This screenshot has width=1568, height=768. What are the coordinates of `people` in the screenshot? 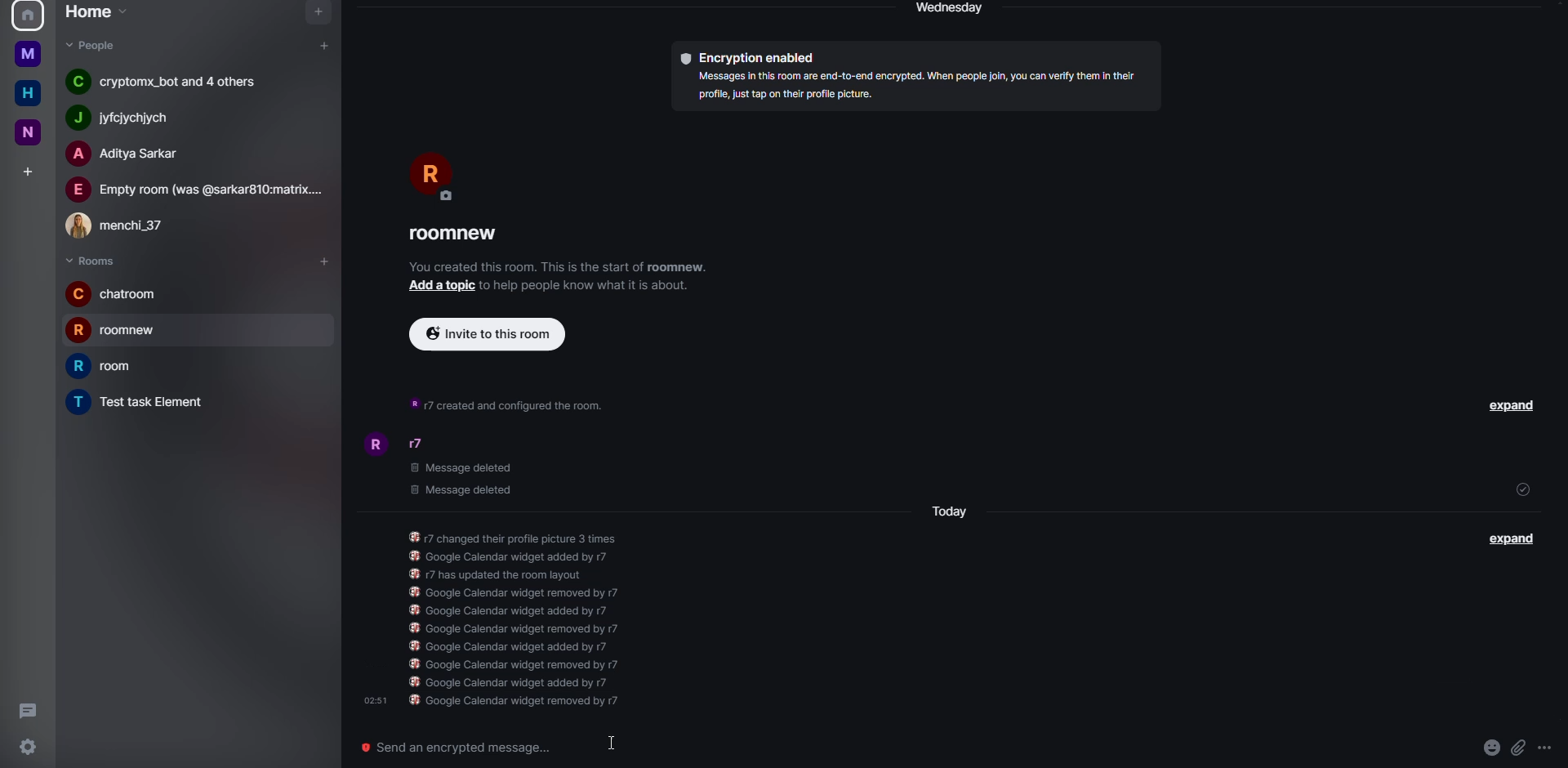 It's located at (132, 154).